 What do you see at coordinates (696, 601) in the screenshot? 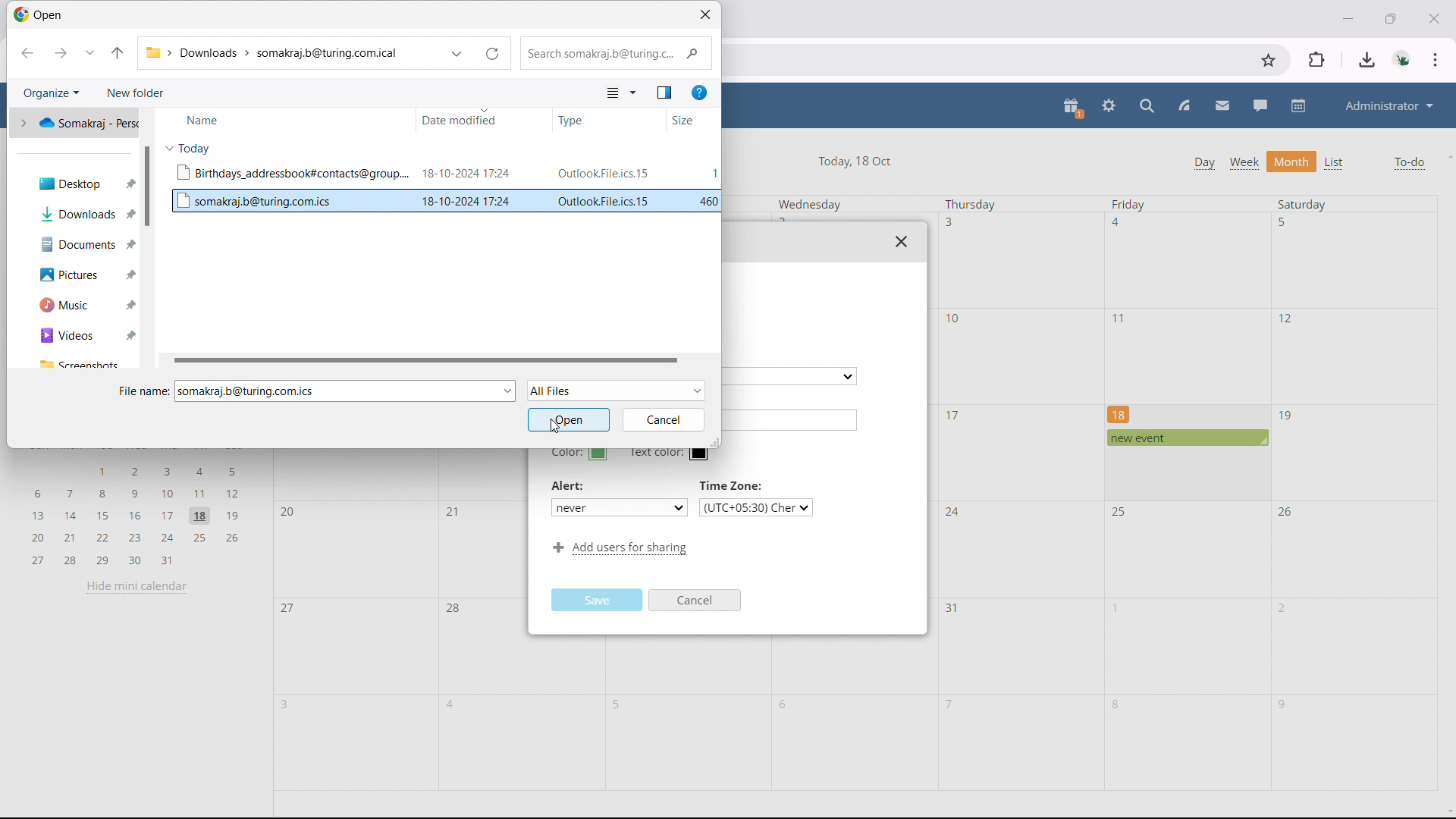
I see `Cancel` at bounding box center [696, 601].